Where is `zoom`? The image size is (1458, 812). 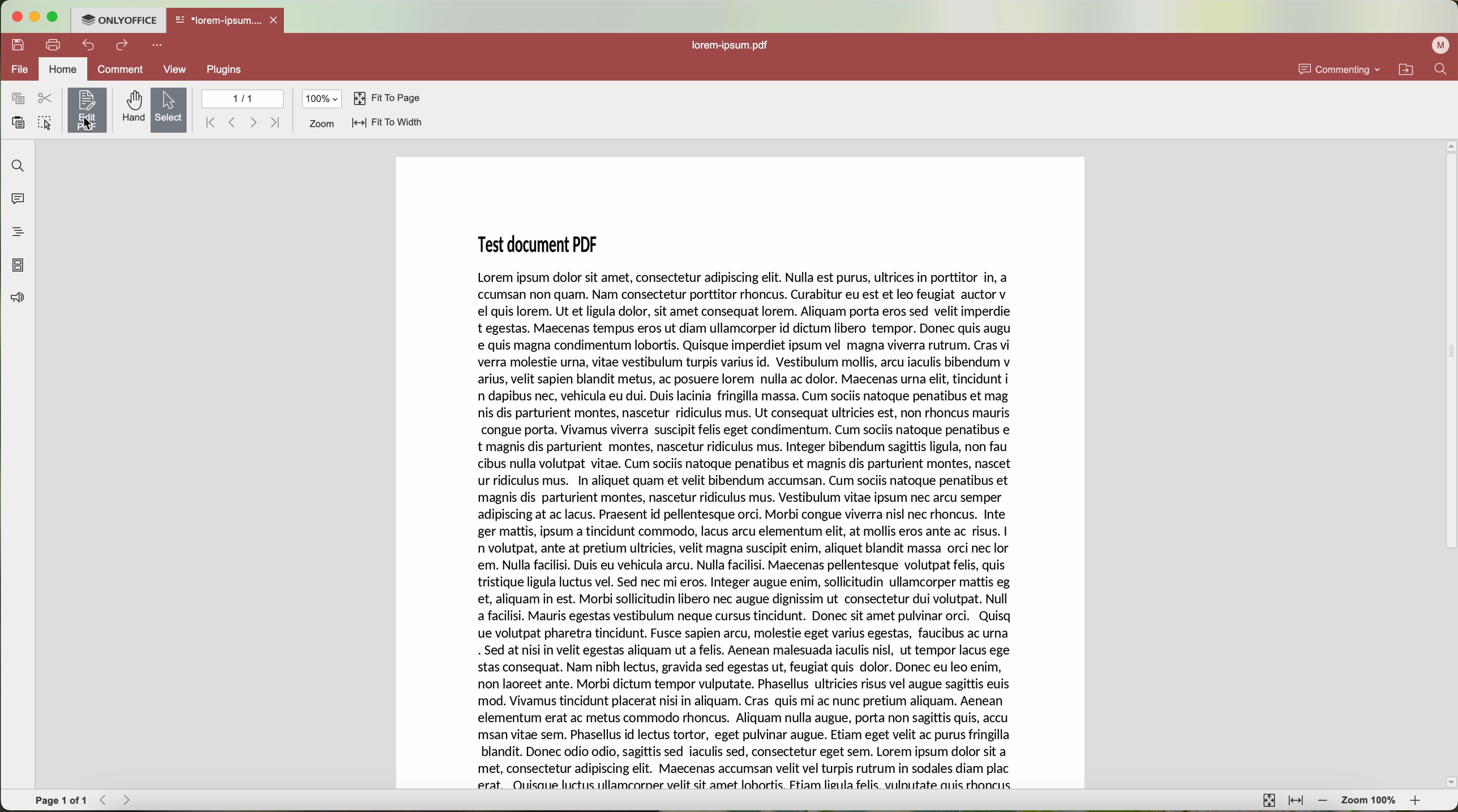 zoom is located at coordinates (319, 124).